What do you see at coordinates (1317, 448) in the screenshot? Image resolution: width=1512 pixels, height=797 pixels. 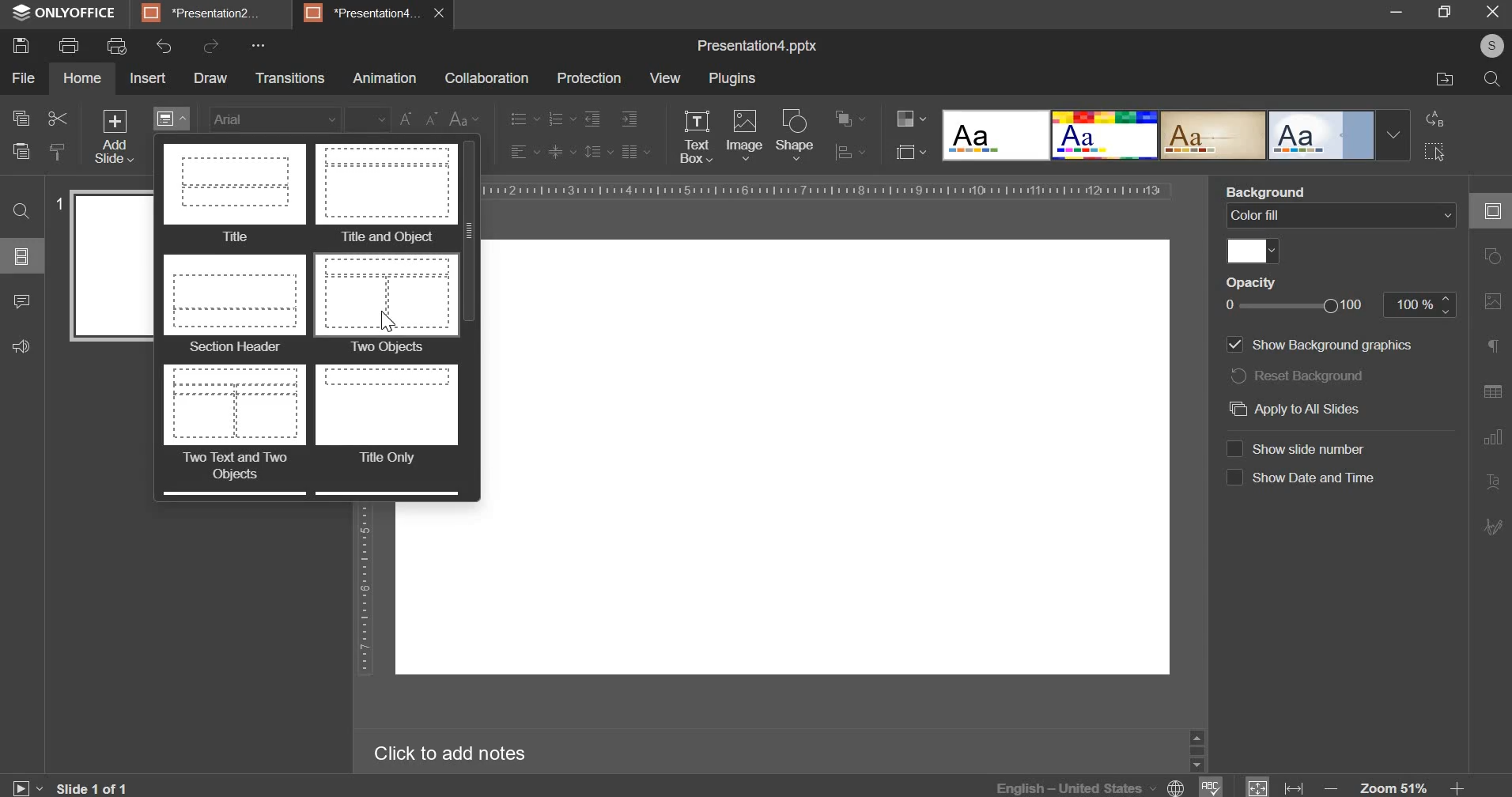 I see `show slide number` at bounding box center [1317, 448].